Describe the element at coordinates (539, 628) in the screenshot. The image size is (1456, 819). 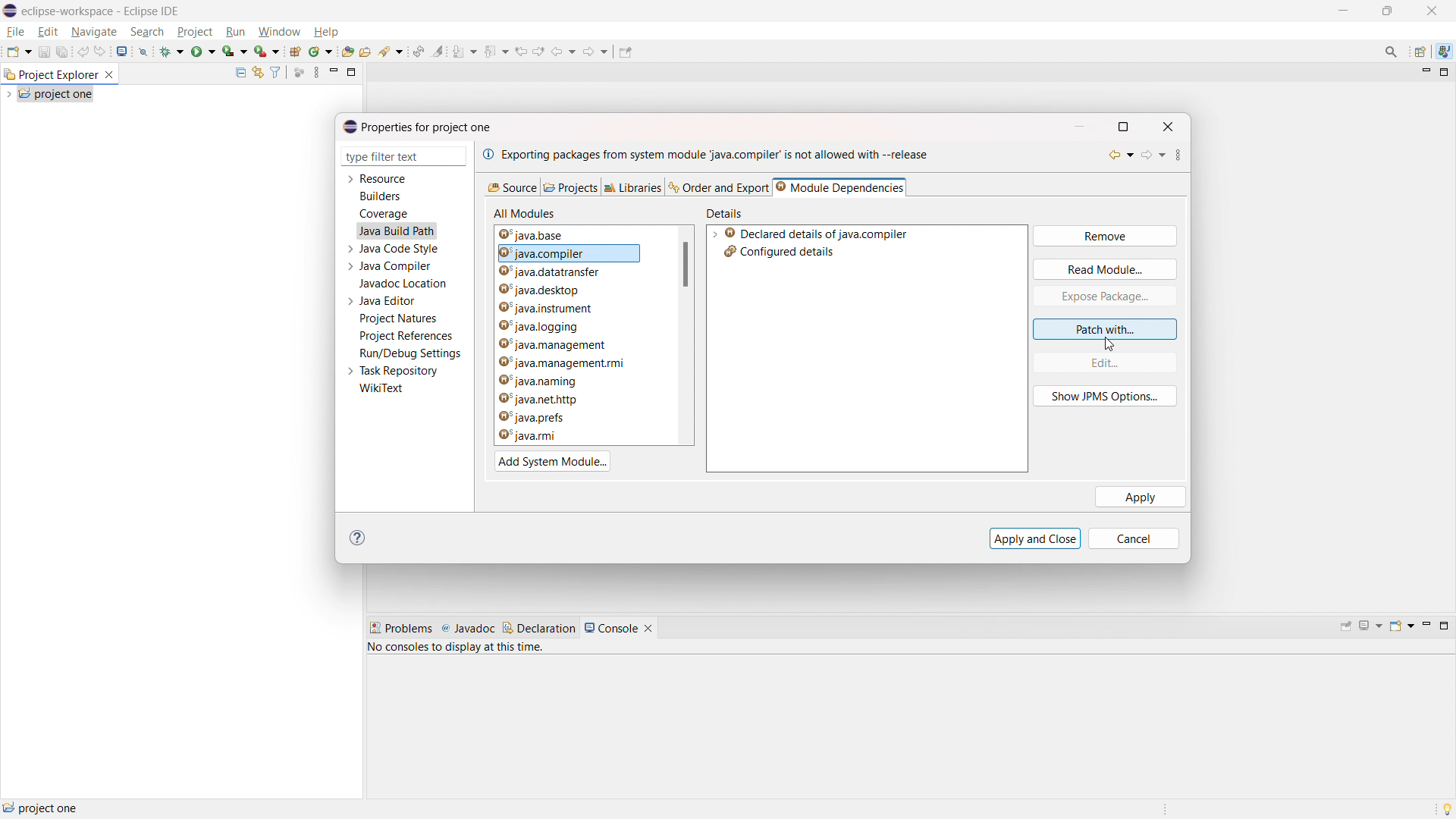
I see `declaration` at that location.